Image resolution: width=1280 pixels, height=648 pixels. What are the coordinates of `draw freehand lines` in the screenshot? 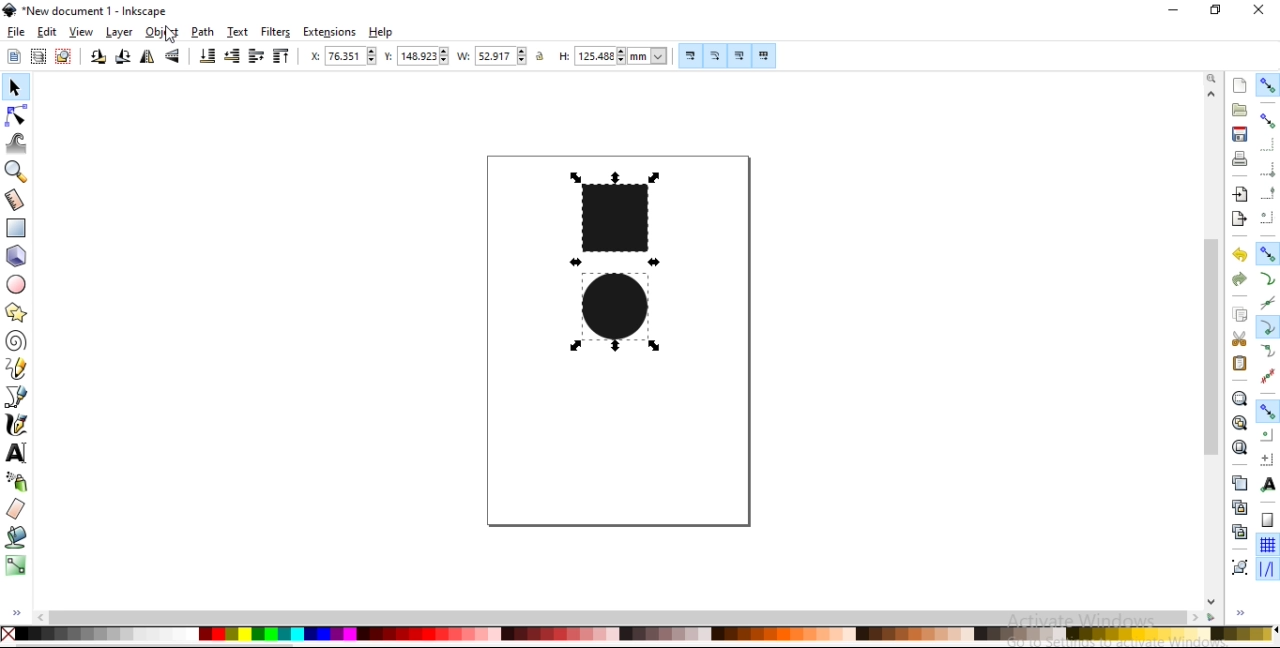 It's located at (15, 370).